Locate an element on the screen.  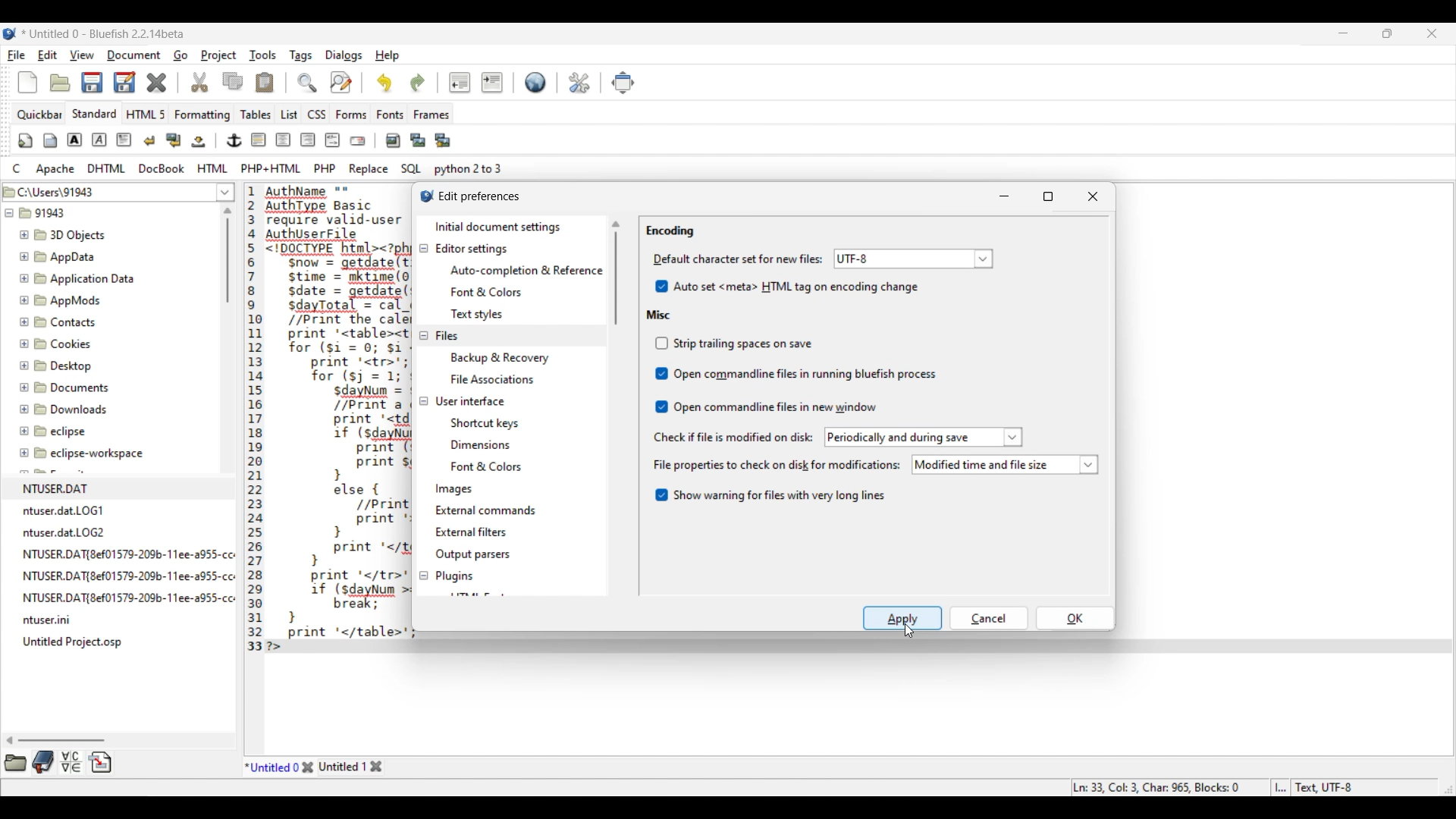
Delete  is located at coordinates (157, 83).